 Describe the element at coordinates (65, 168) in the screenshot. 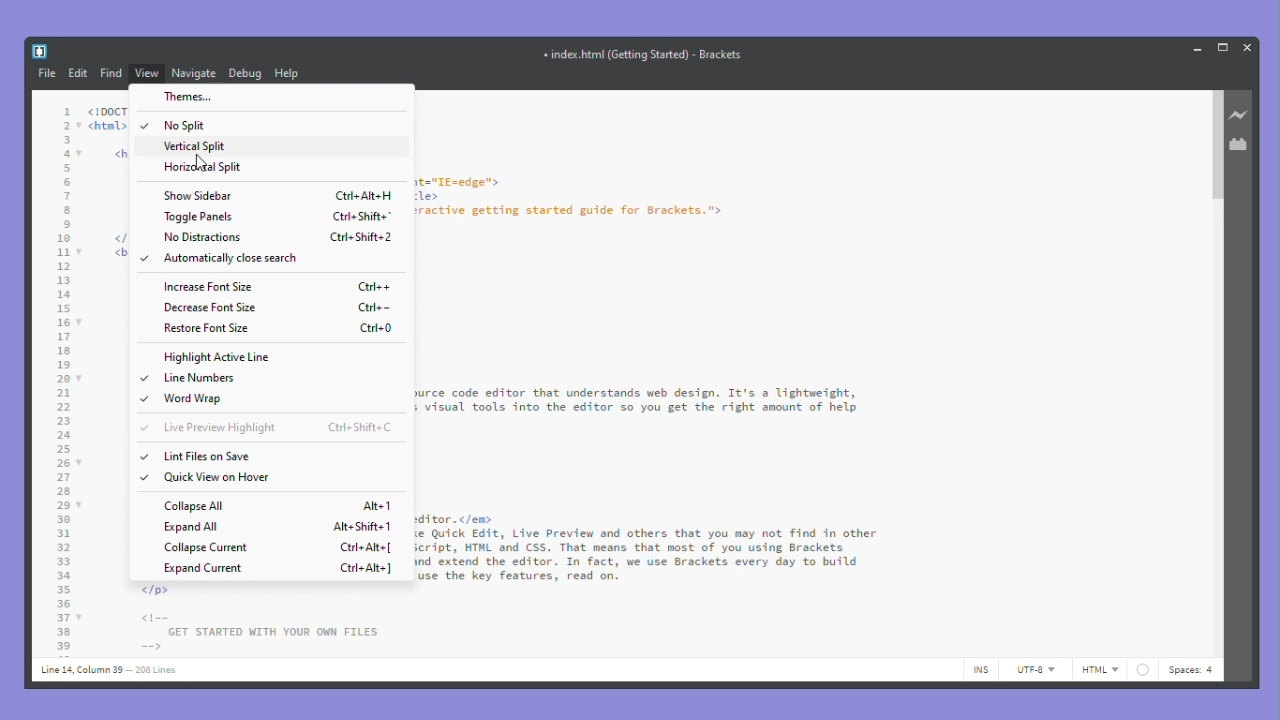

I see `5` at that location.